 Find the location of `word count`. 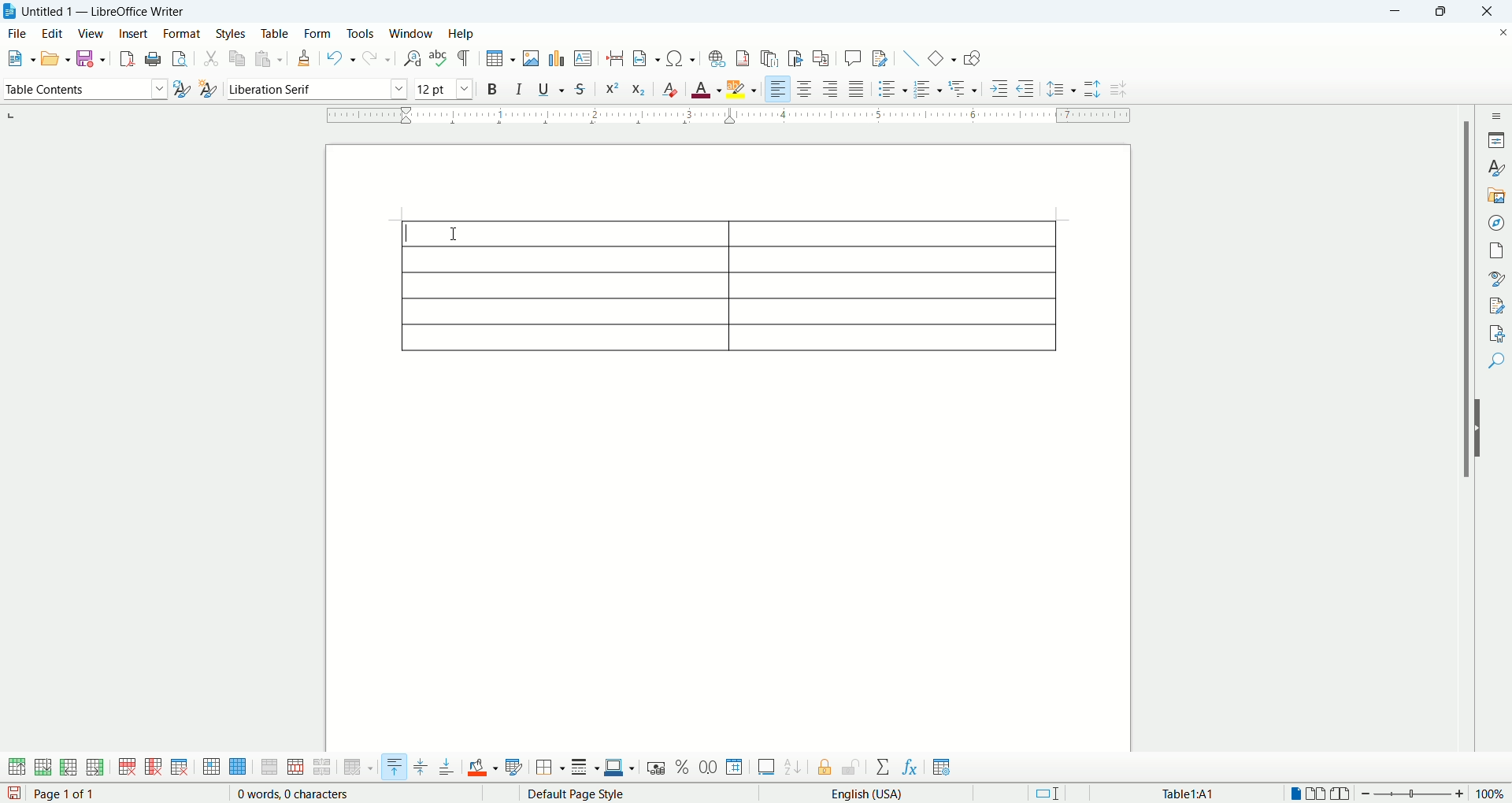

word count is located at coordinates (292, 794).